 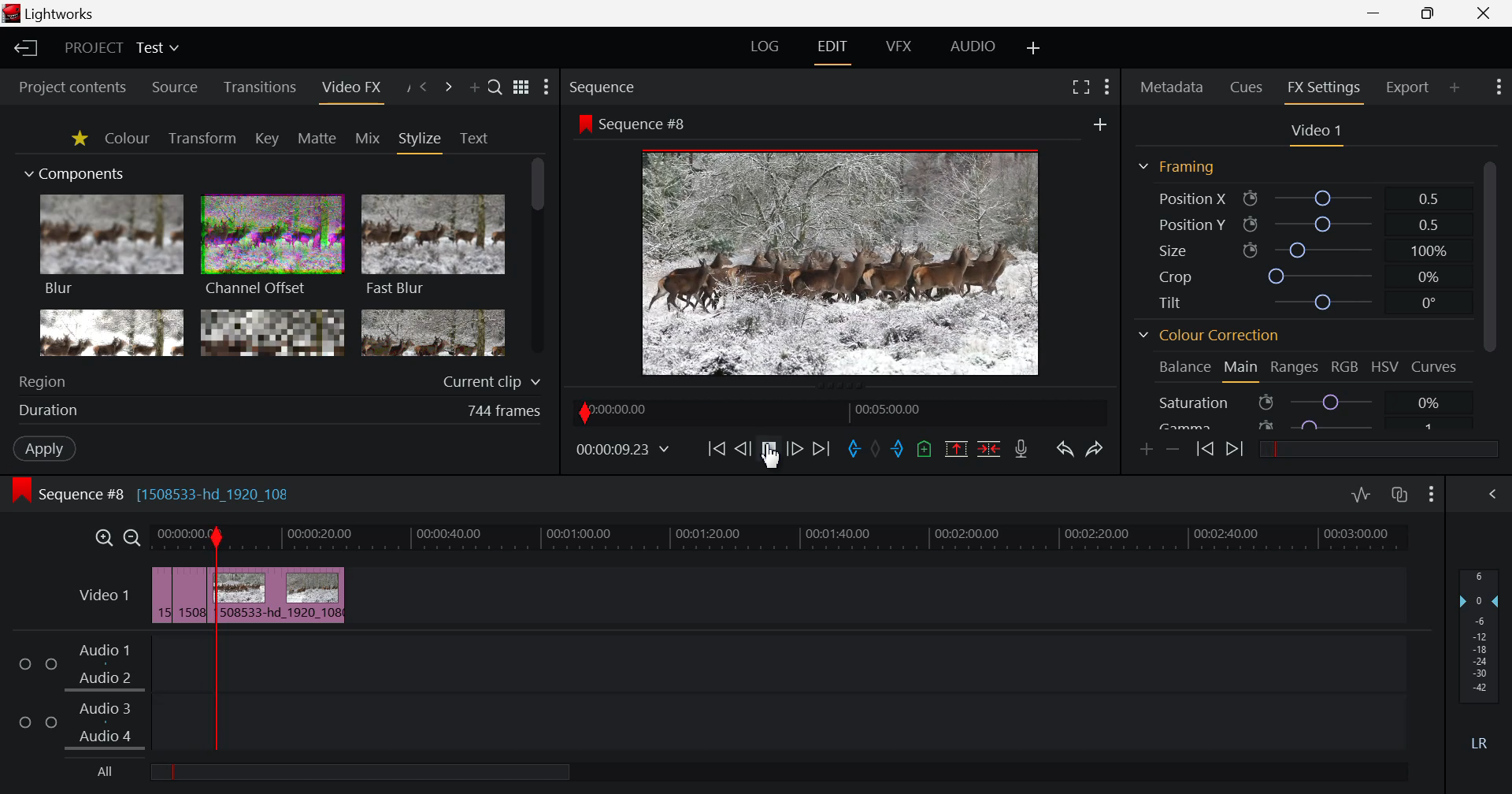 I want to click on Colour Correction, so click(x=1209, y=336).